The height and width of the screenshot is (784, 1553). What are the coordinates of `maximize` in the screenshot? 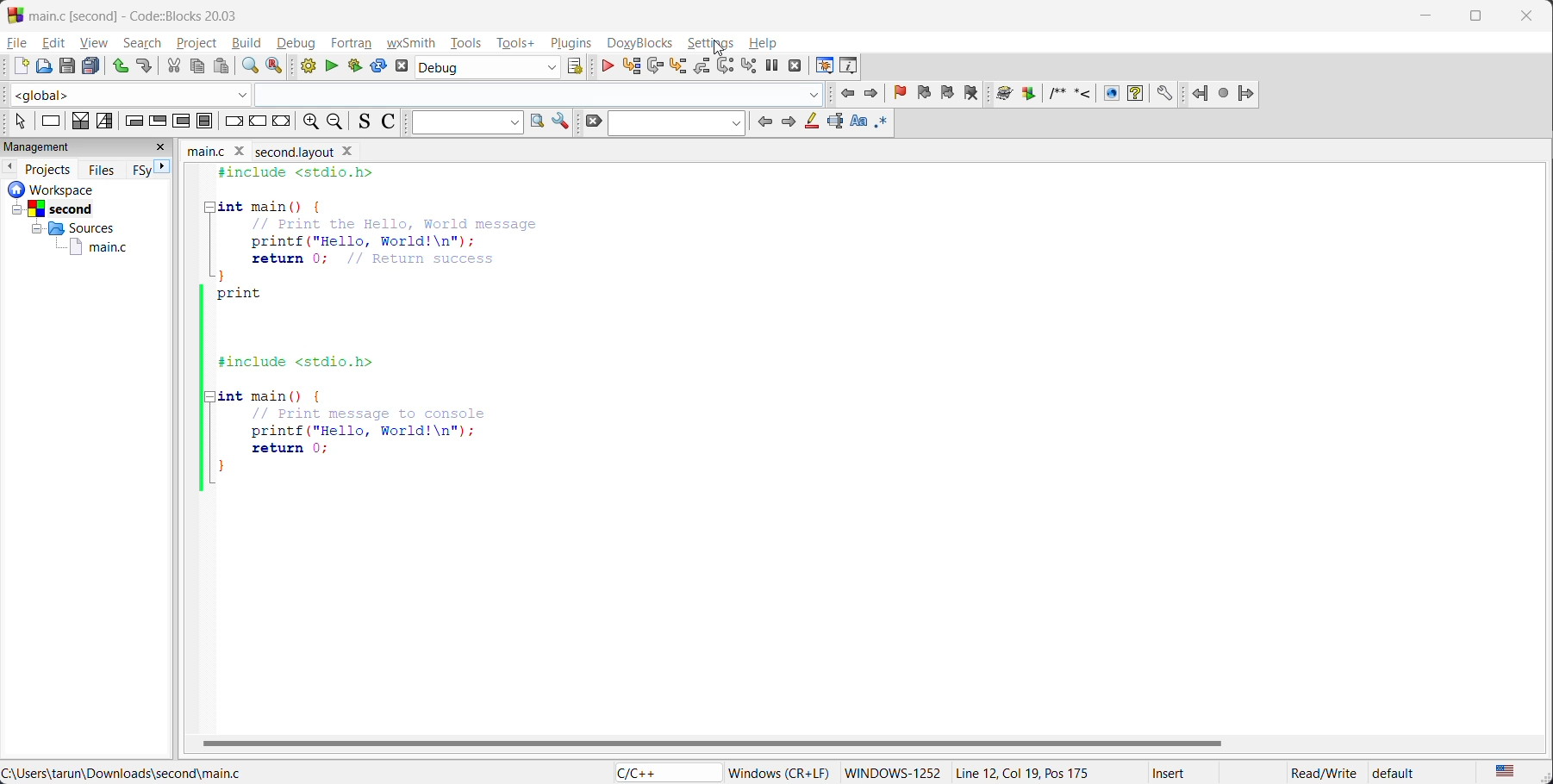 It's located at (1476, 19).